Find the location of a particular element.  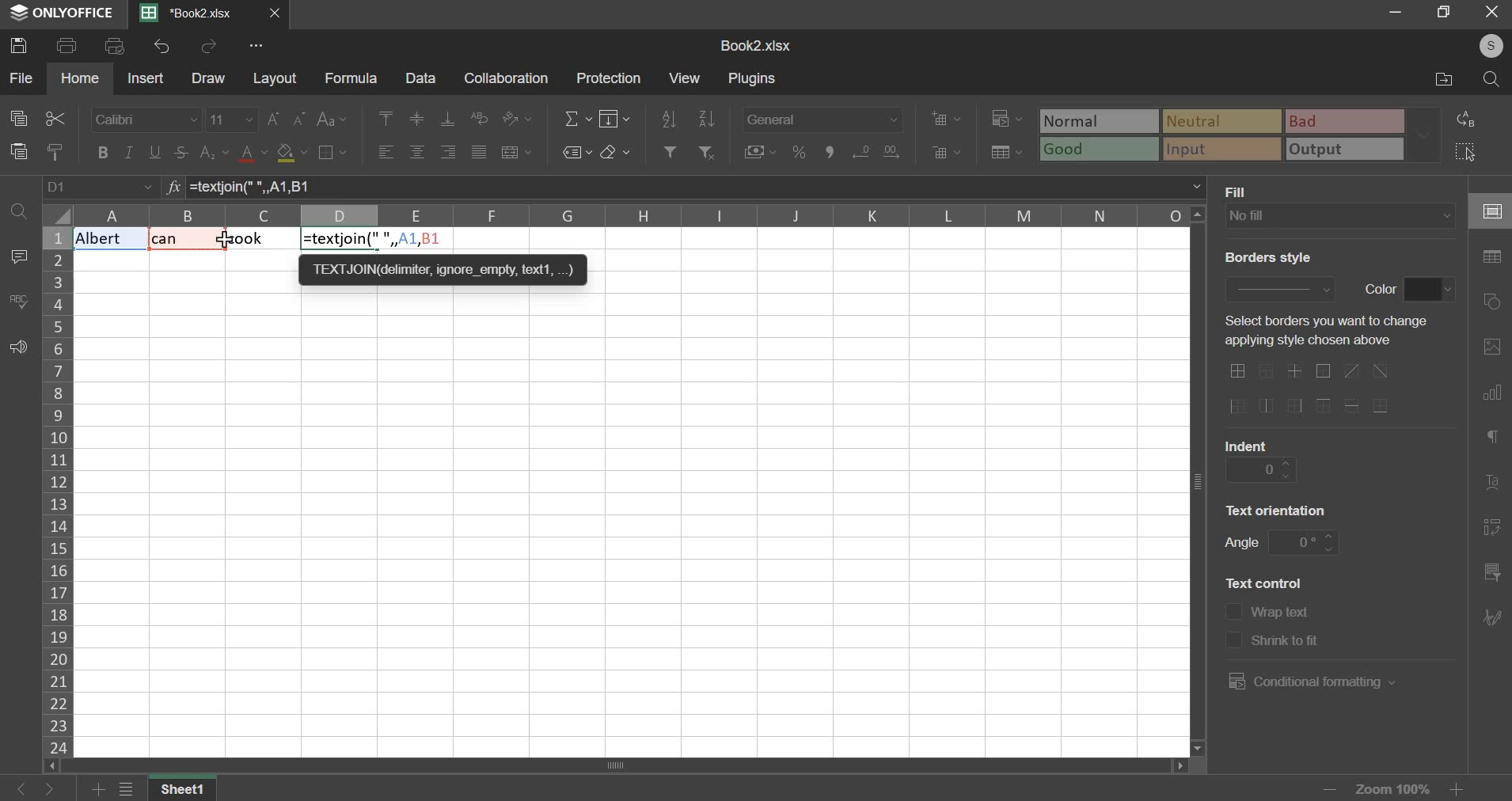

align bottom is located at coordinates (448, 119).